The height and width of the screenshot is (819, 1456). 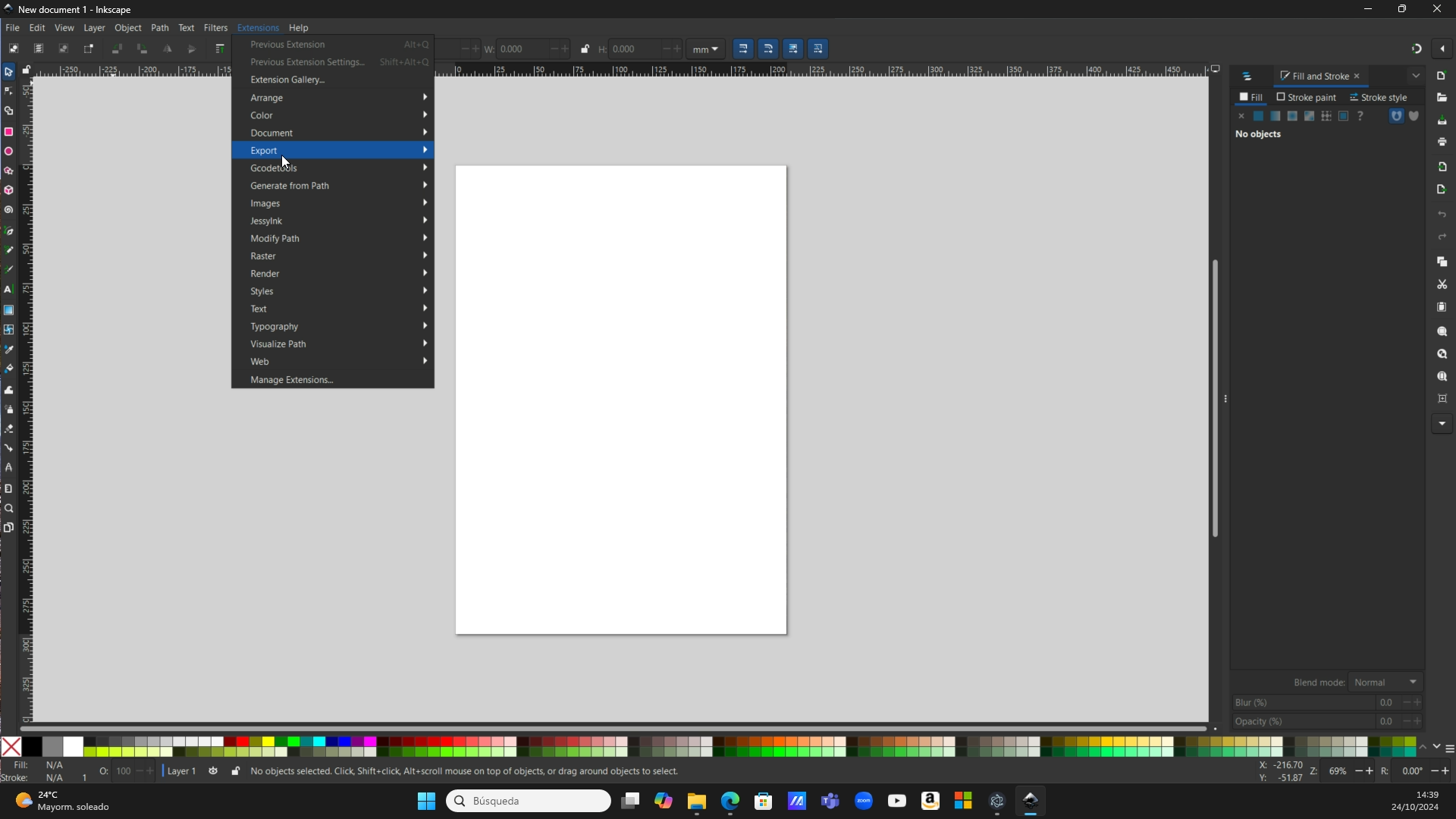 What do you see at coordinates (337, 203) in the screenshot?
I see `Images` at bounding box center [337, 203].